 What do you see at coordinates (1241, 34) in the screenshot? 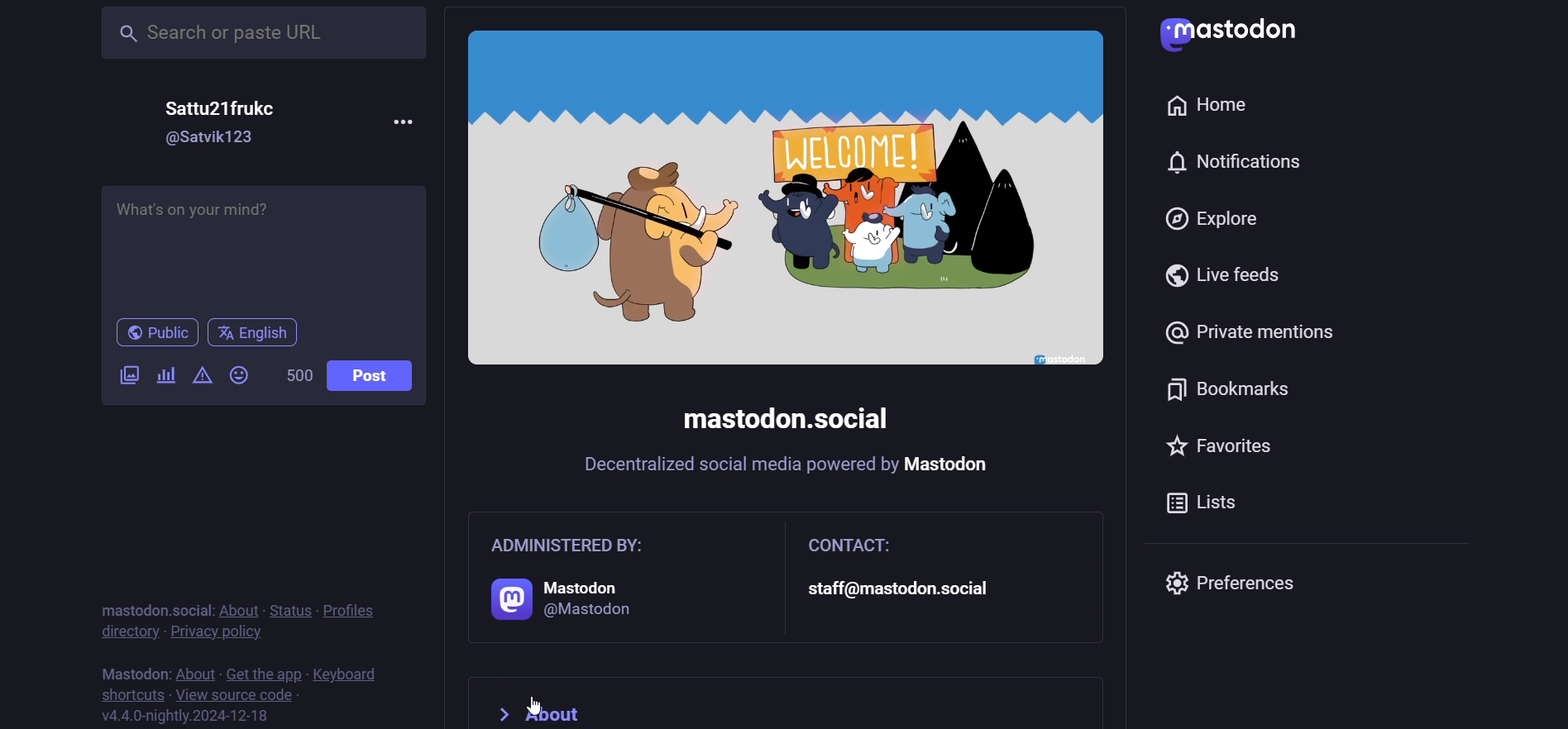
I see `logo` at bounding box center [1241, 34].